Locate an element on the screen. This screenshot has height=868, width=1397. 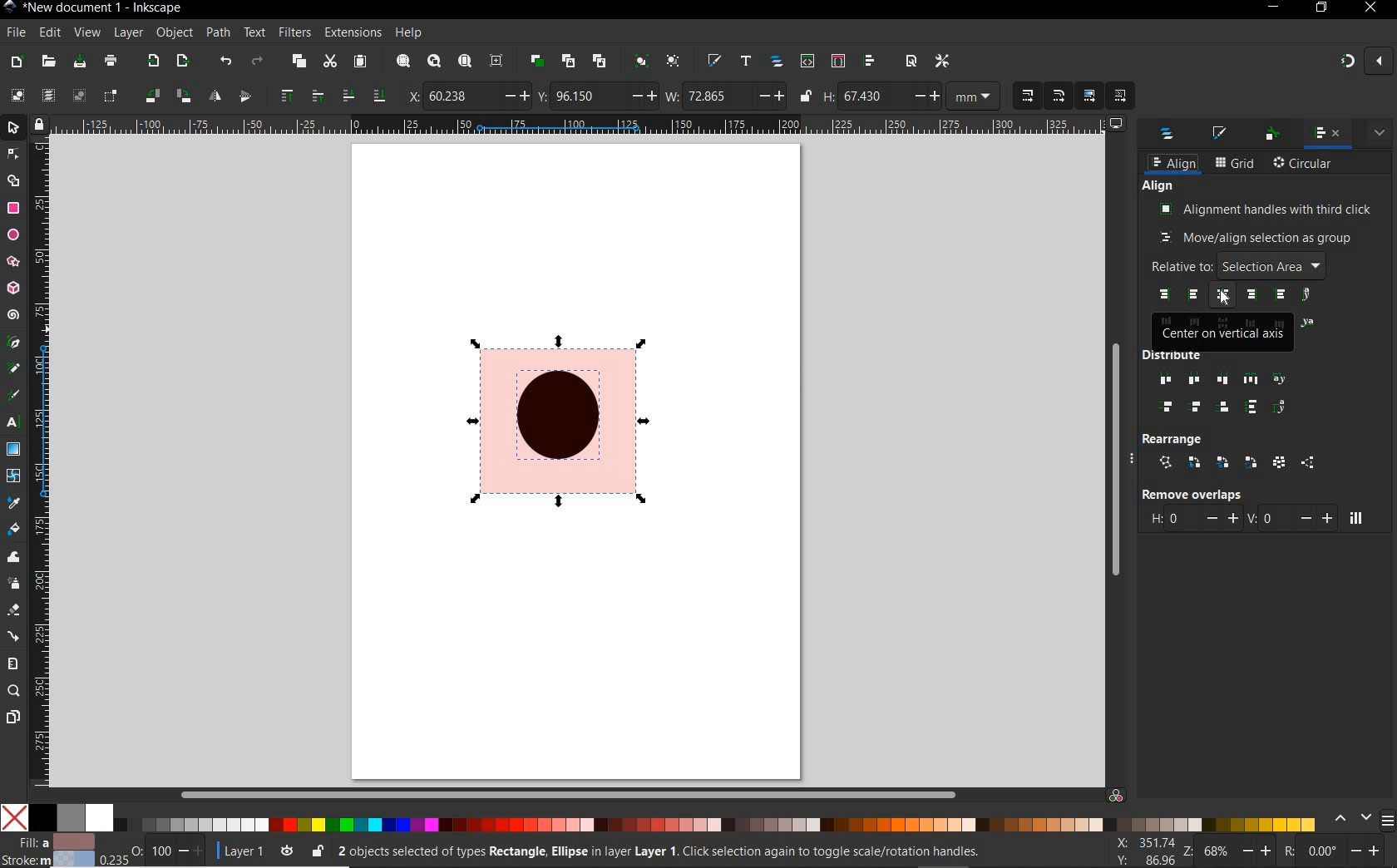
alignment BASELINE ANCHORS OF TEXTS HORIZONTALLY is located at coordinates (1309, 295).